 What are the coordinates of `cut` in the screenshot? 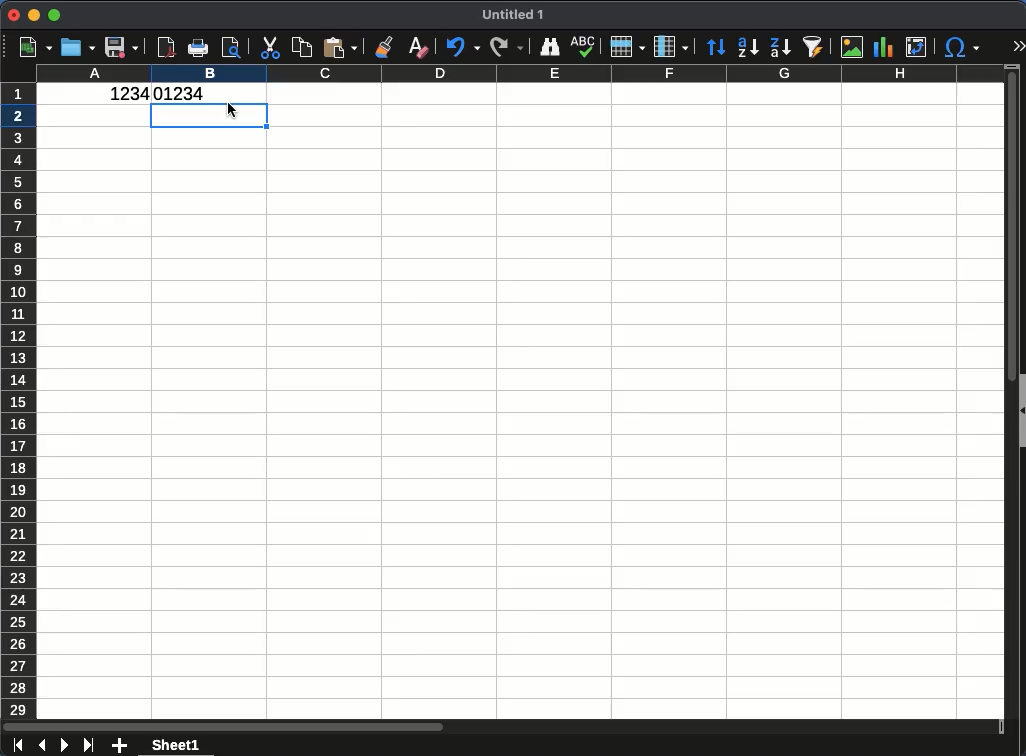 It's located at (268, 48).